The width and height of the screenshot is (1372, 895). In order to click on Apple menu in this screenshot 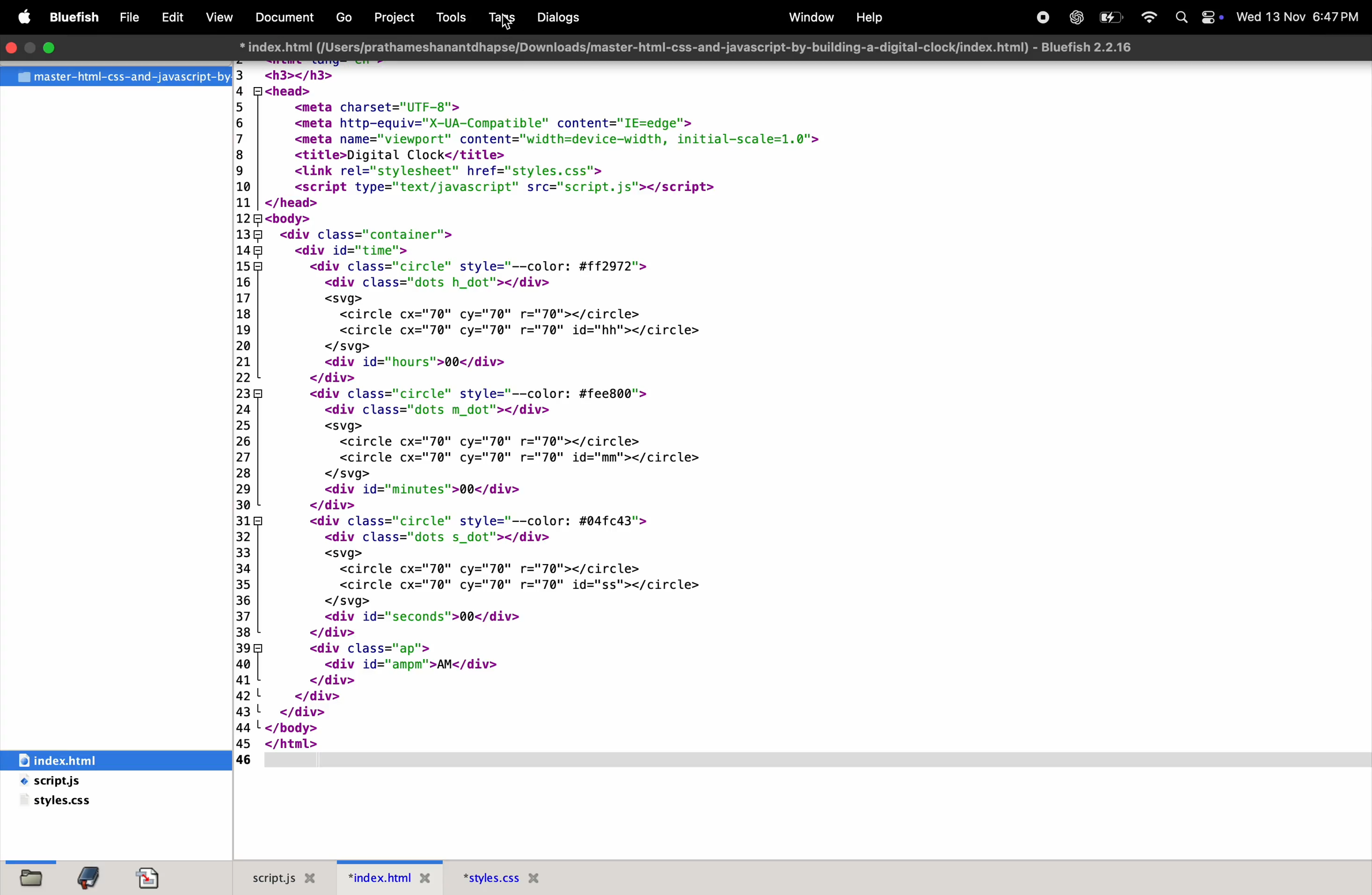, I will do `click(27, 17)`.